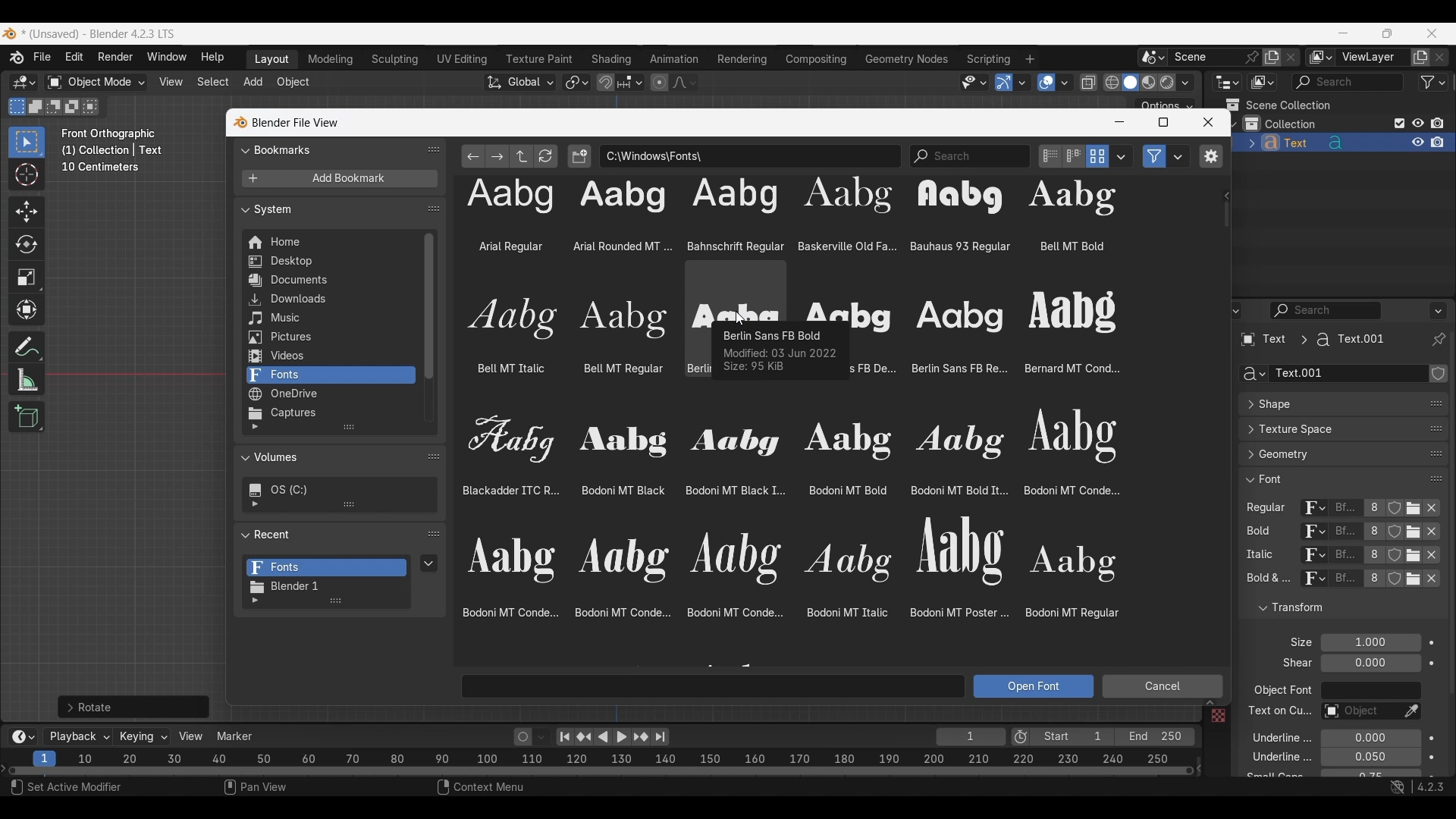  Describe the element at coordinates (1328, 429) in the screenshot. I see `Click to expand Texture Space` at that location.